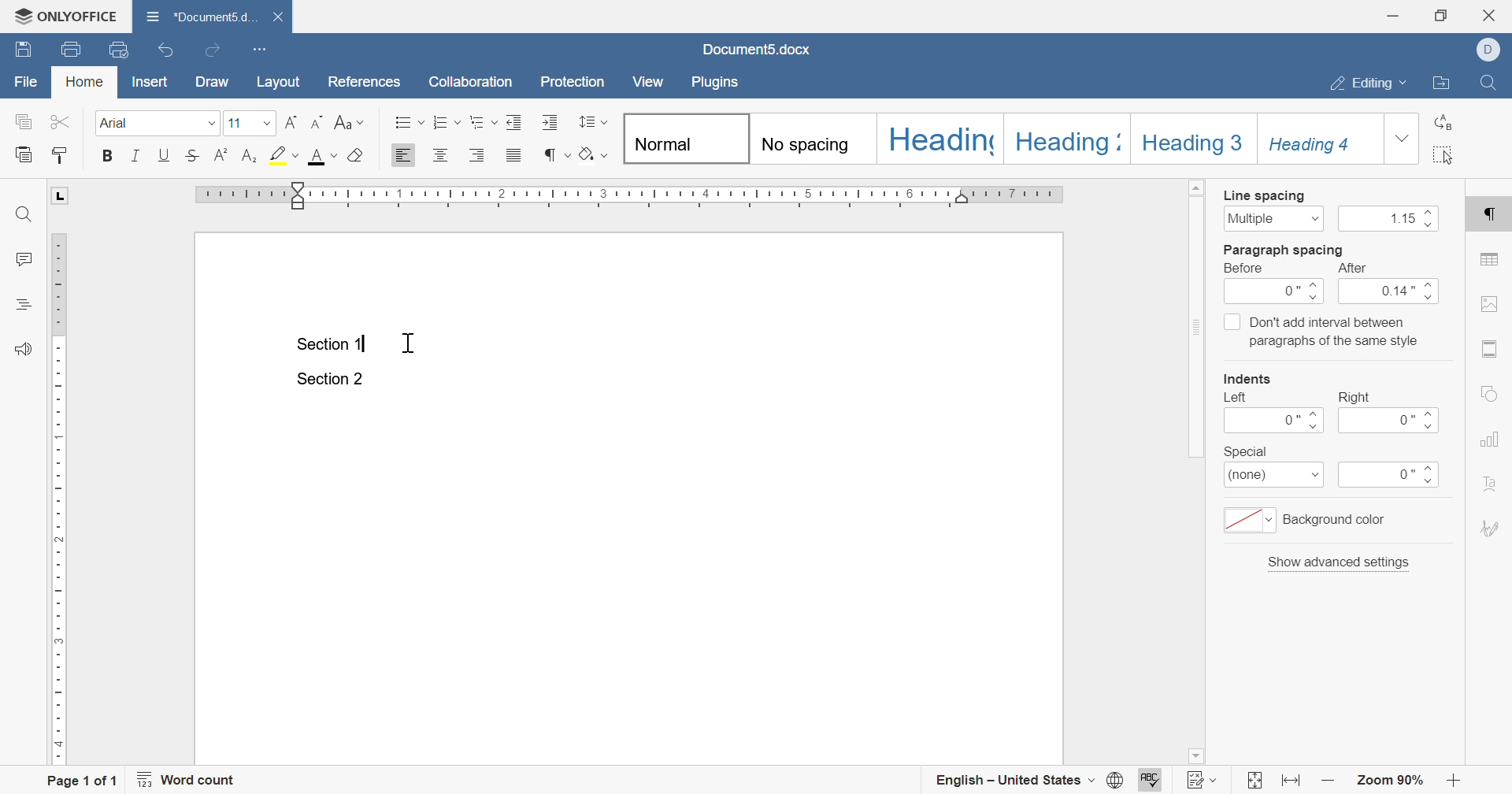 The width and height of the screenshot is (1512, 794). I want to click on replace, so click(1444, 123).